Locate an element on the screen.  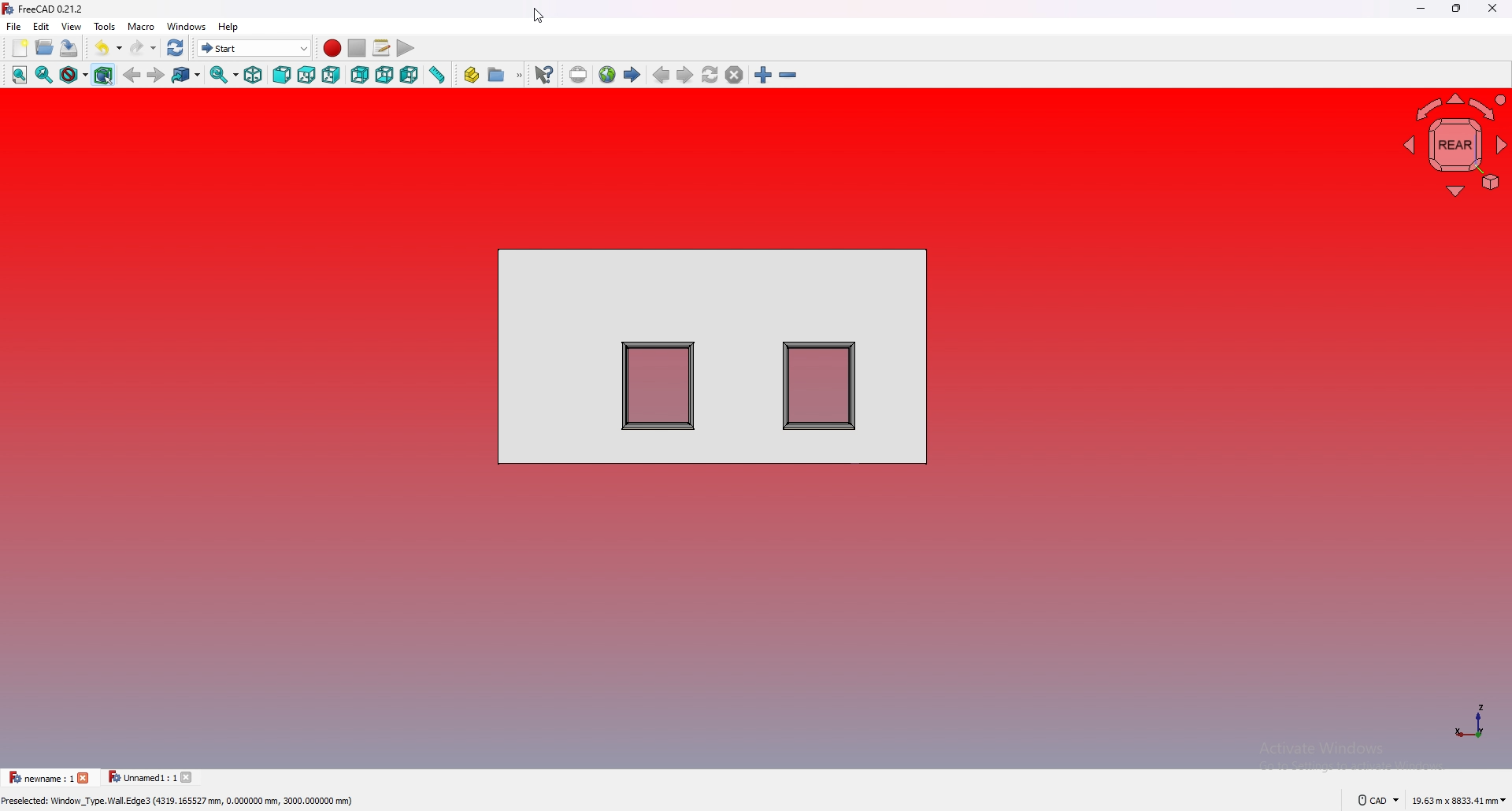
view is located at coordinates (72, 25).